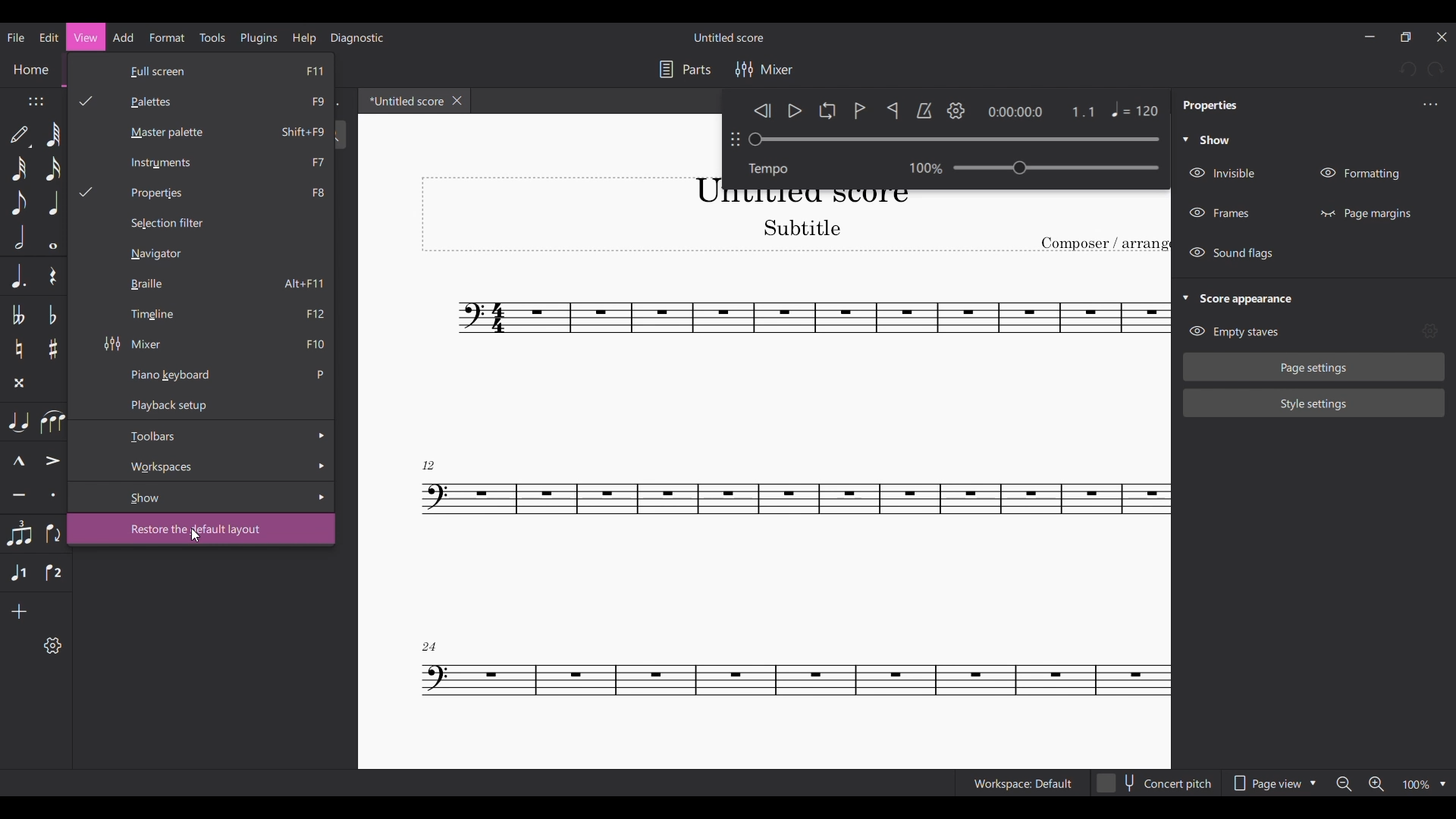  What do you see at coordinates (799, 227) in the screenshot?
I see `Subtitle` at bounding box center [799, 227].